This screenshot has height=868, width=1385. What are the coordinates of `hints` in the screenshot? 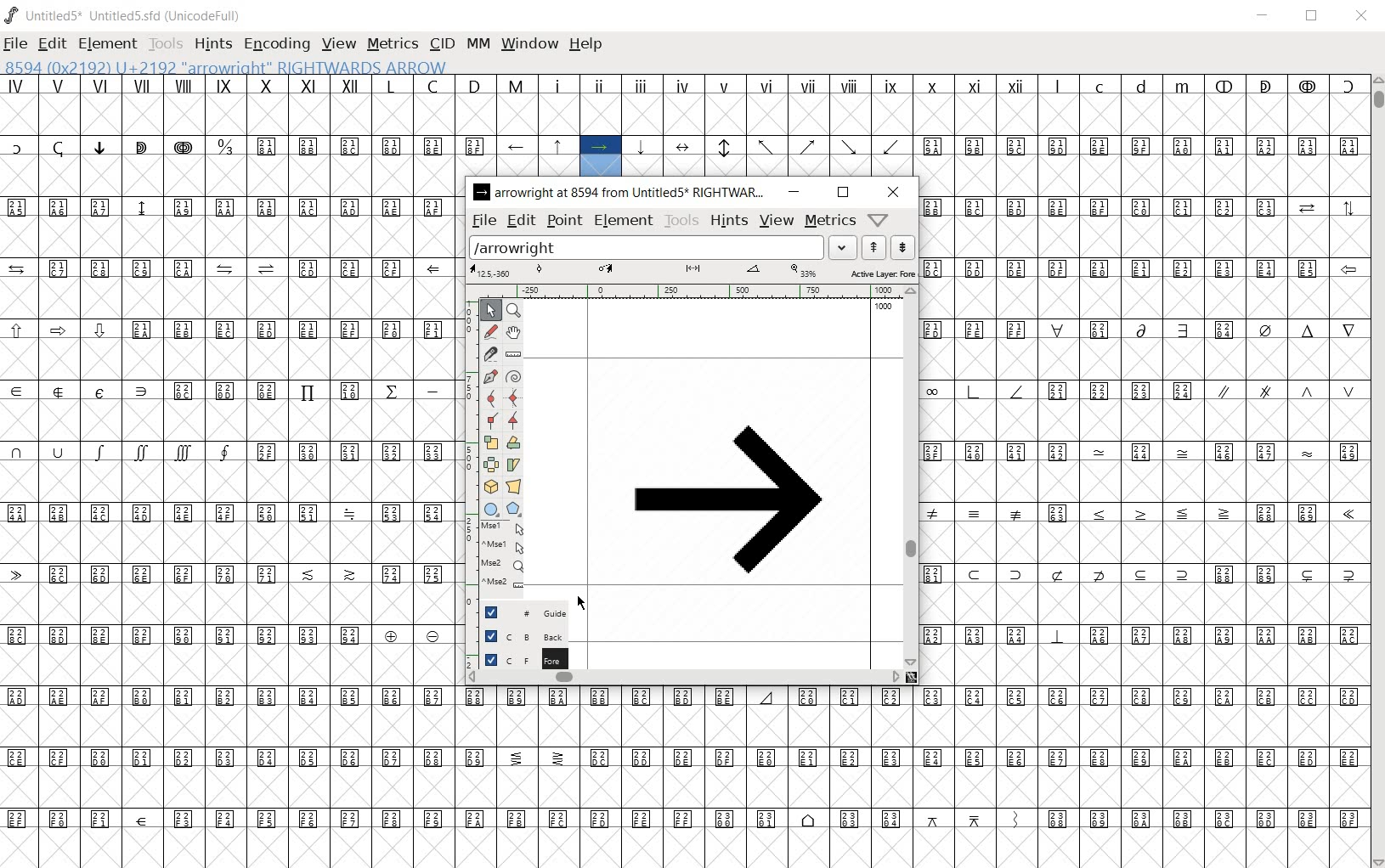 It's located at (729, 219).